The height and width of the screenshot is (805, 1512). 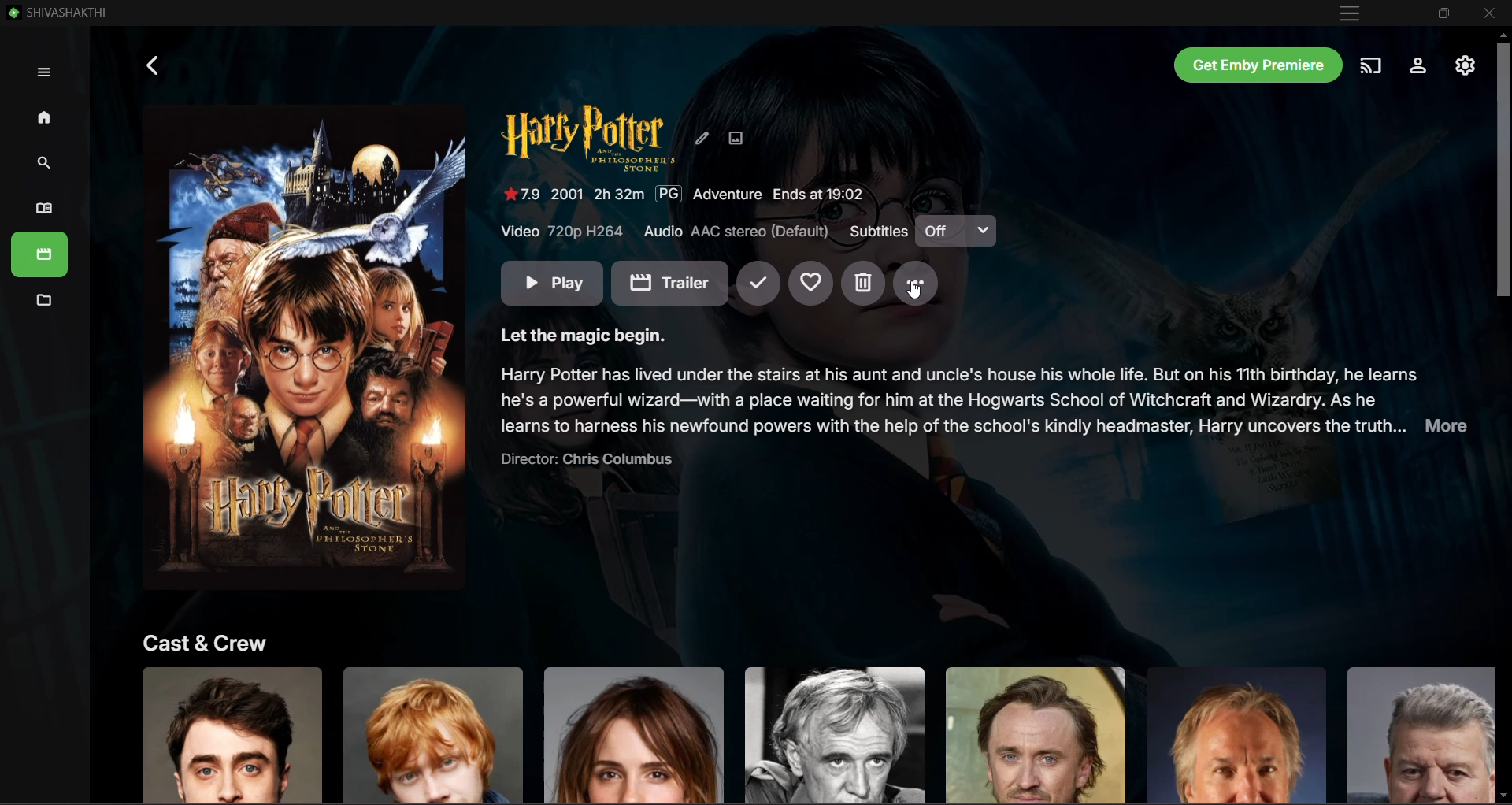 What do you see at coordinates (305, 348) in the screenshot?
I see `Movie Image - Click to Play` at bounding box center [305, 348].